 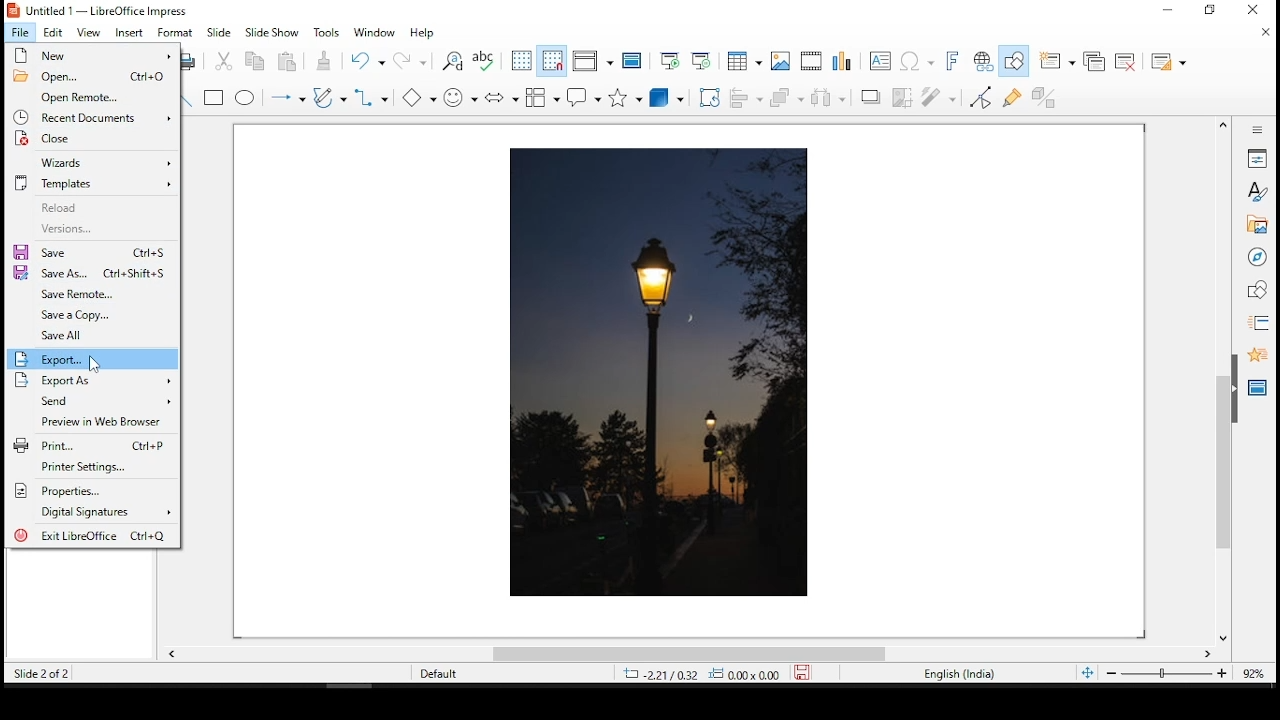 I want to click on image, so click(x=646, y=373).